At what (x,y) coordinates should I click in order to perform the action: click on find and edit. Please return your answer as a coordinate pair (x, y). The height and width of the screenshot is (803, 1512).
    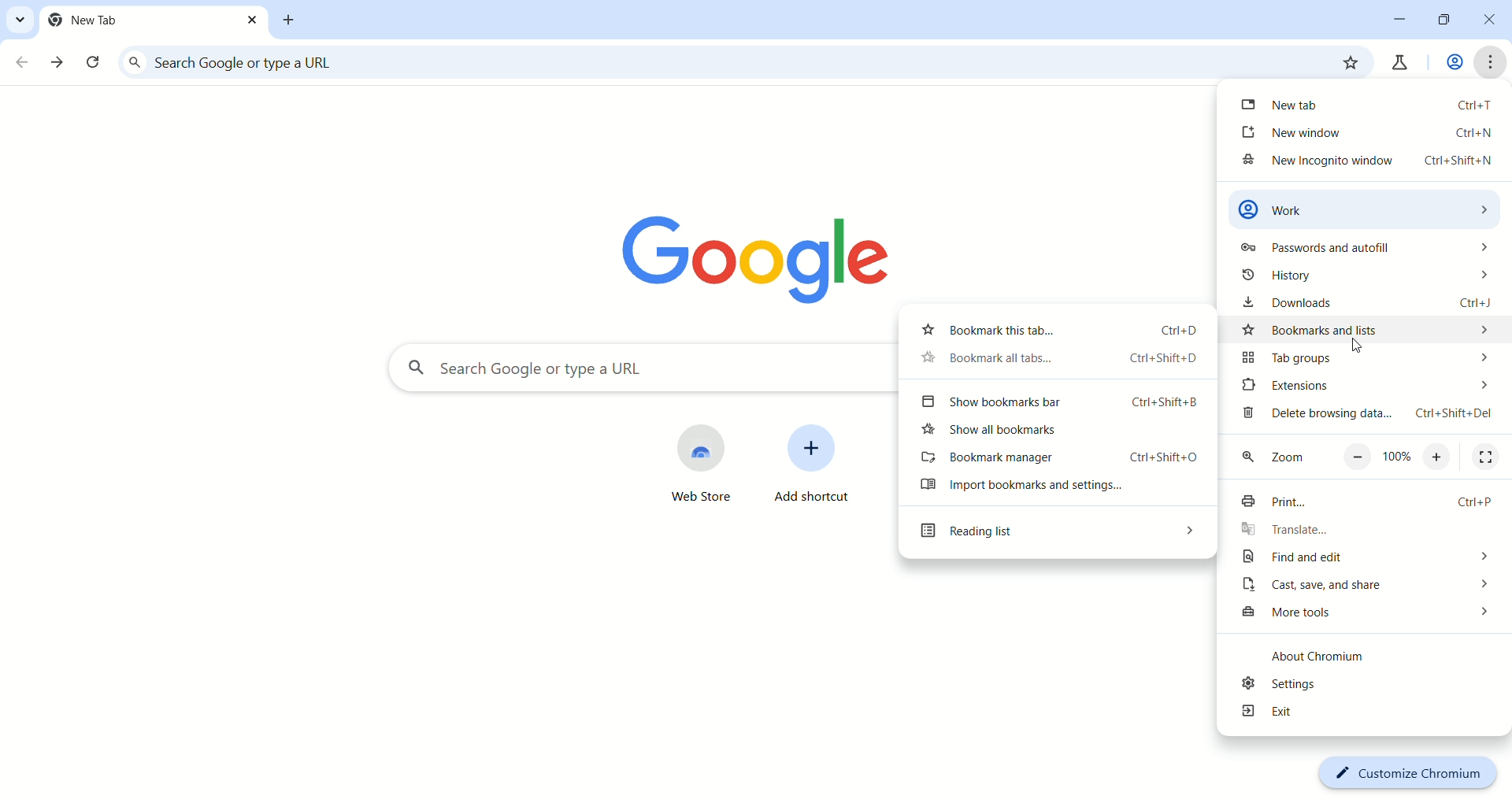
    Looking at the image, I should click on (1362, 559).